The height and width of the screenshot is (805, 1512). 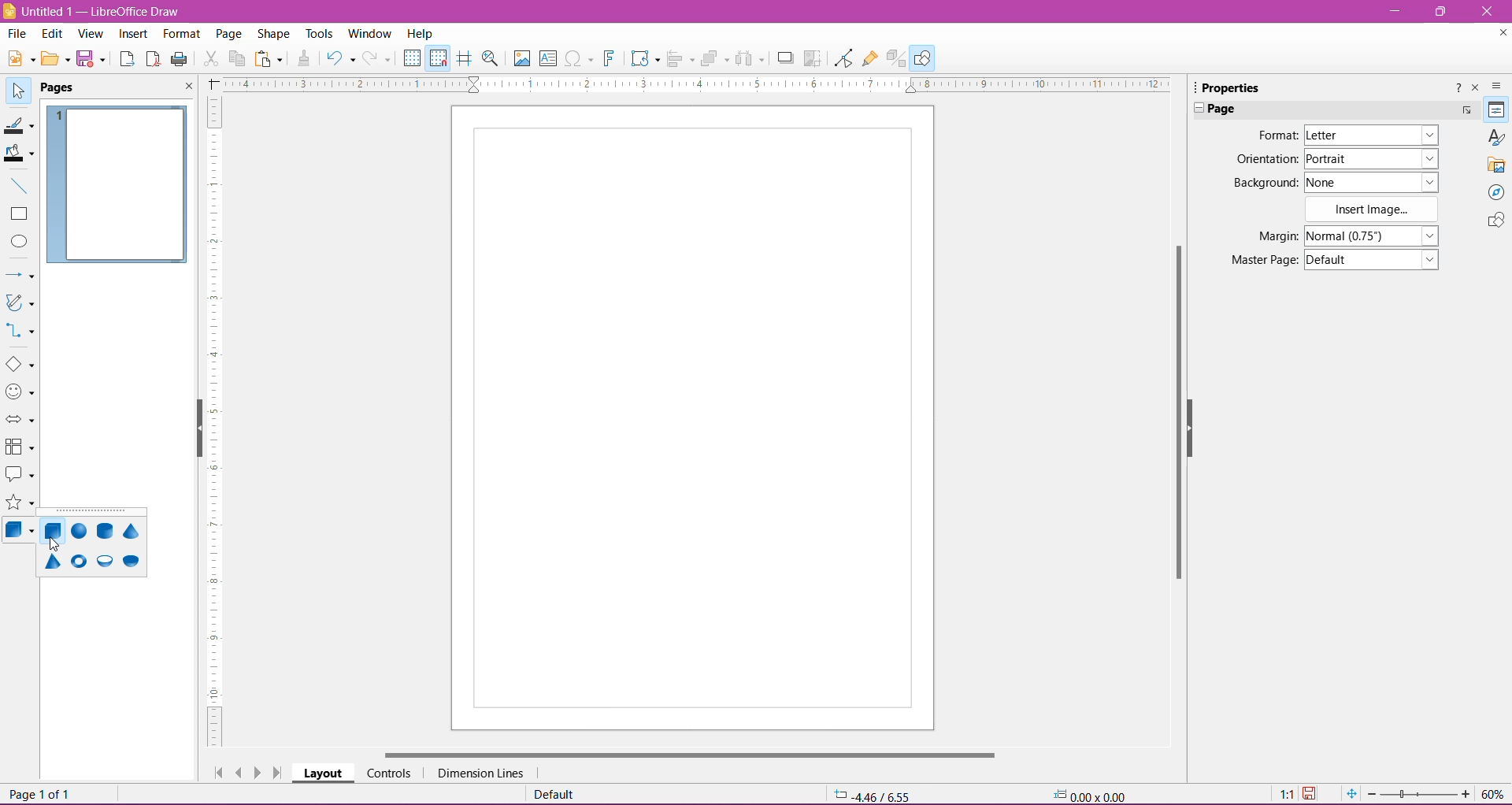 I want to click on Close Pane, so click(x=184, y=87).